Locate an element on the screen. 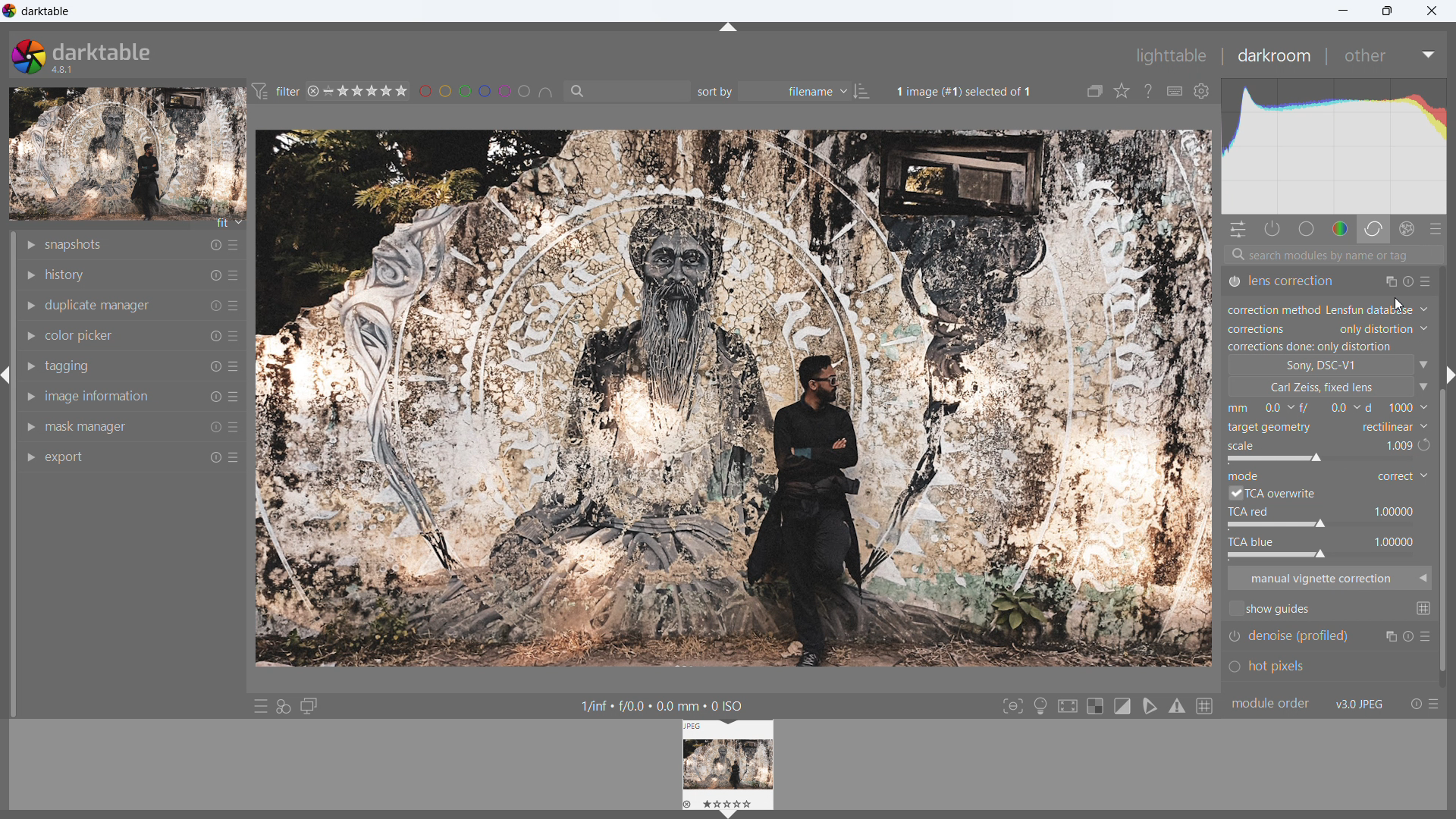  more options is located at coordinates (236, 306).